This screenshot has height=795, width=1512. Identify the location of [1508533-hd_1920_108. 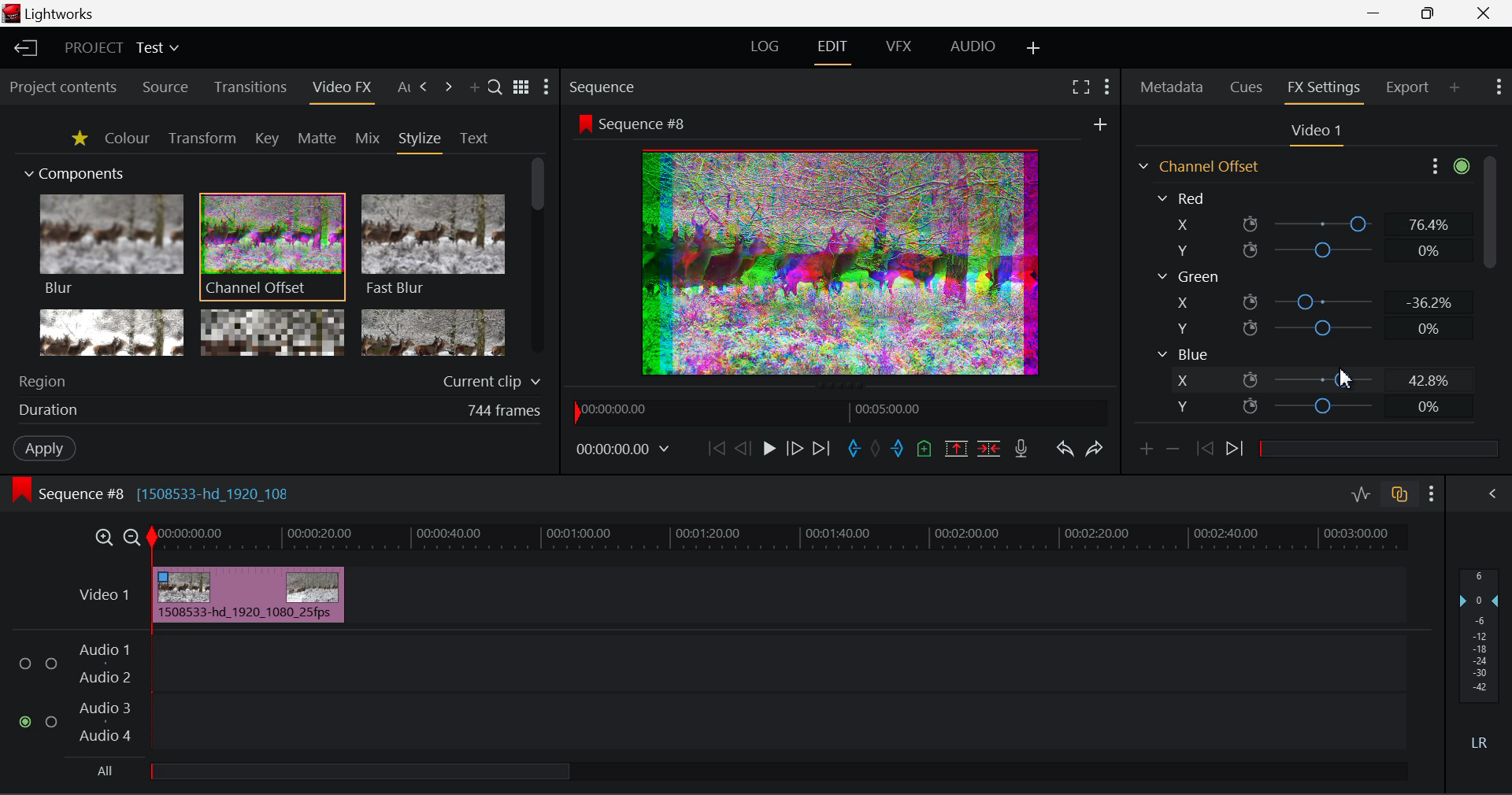
(217, 494).